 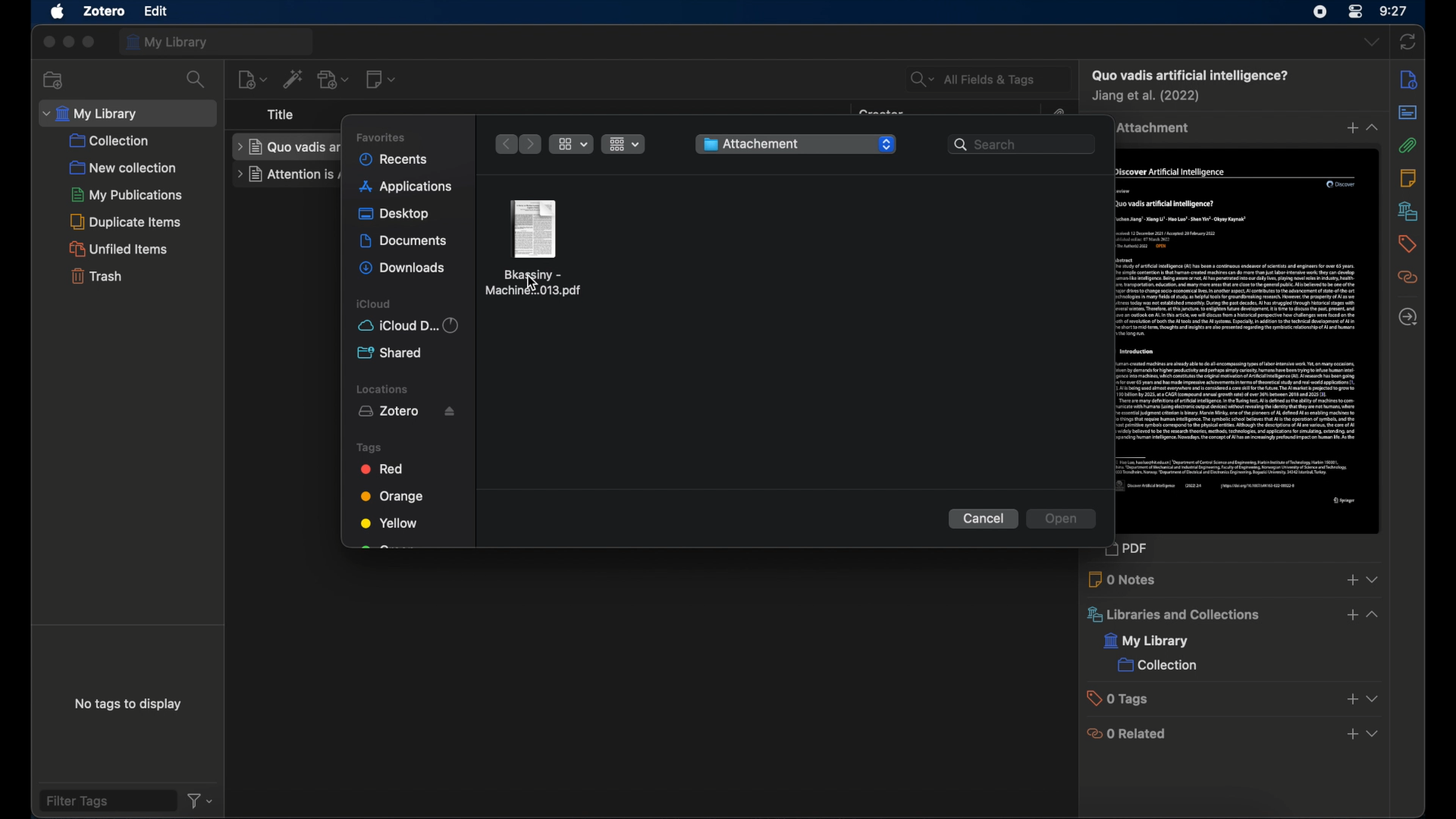 What do you see at coordinates (504, 144) in the screenshot?
I see `previous` at bounding box center [504, 144].